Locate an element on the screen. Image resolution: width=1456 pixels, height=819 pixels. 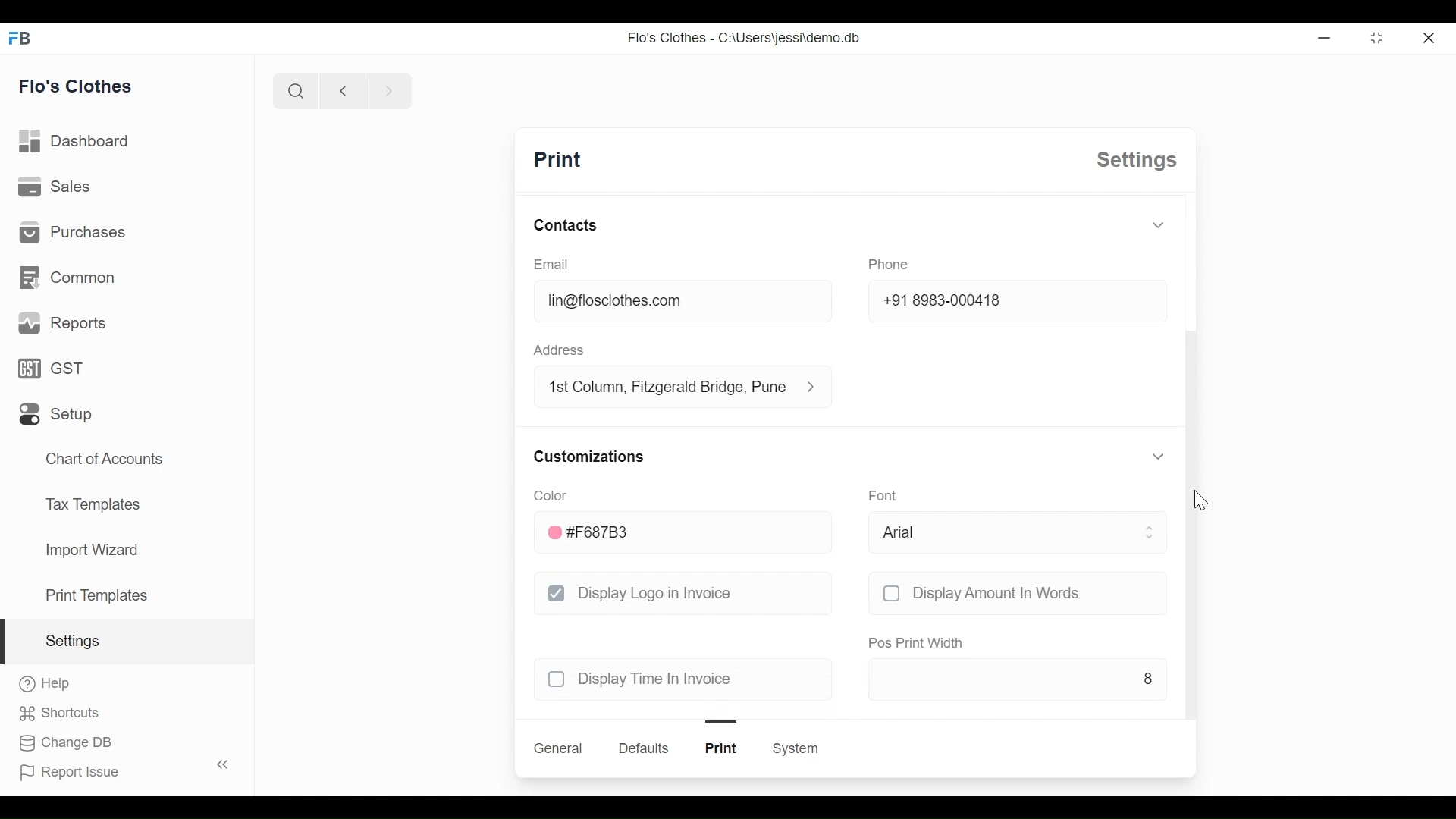
display time in invoice is located at coordinates (660, 679).